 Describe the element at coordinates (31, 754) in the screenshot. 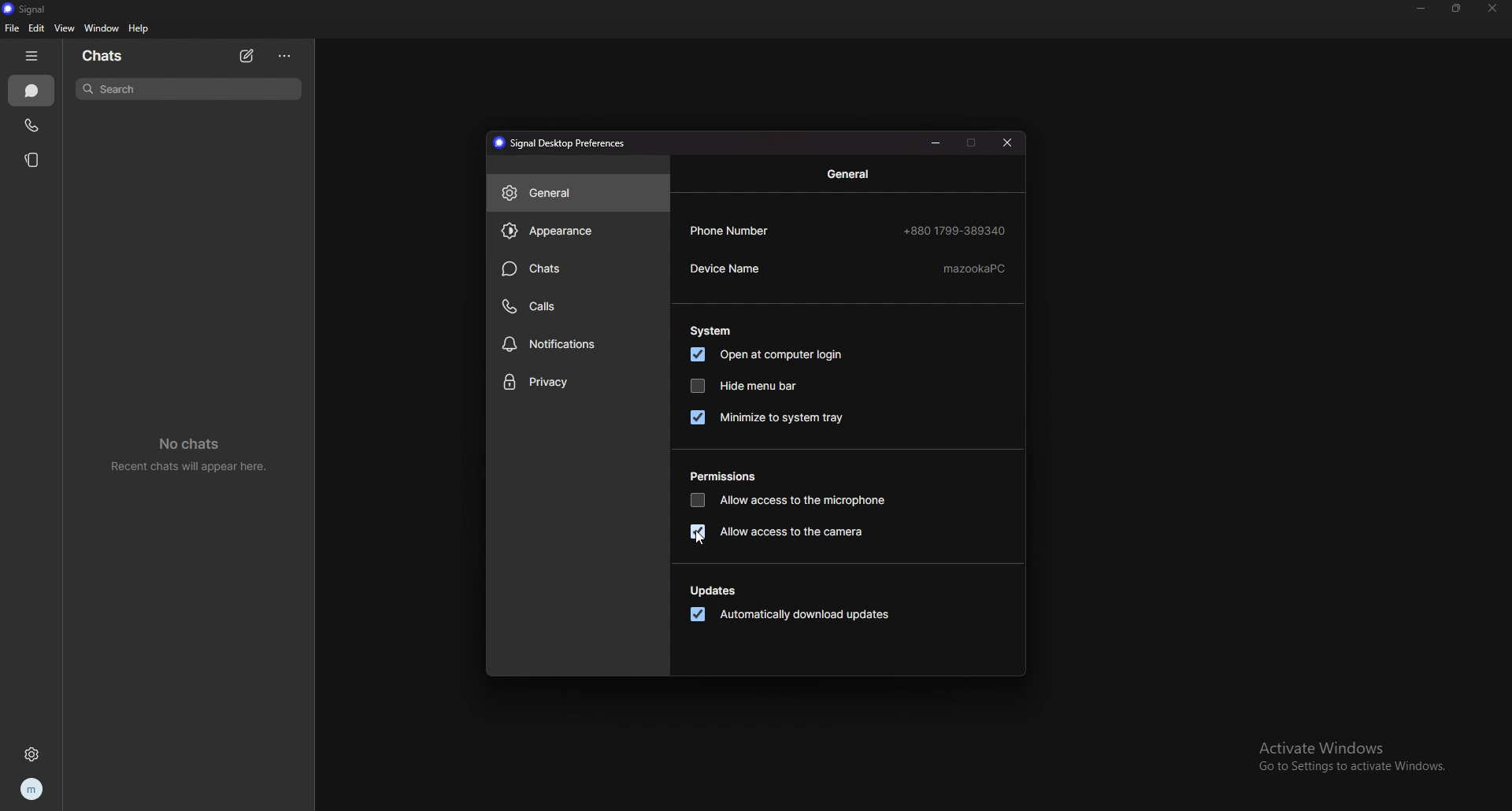

I see `settings` at that location.